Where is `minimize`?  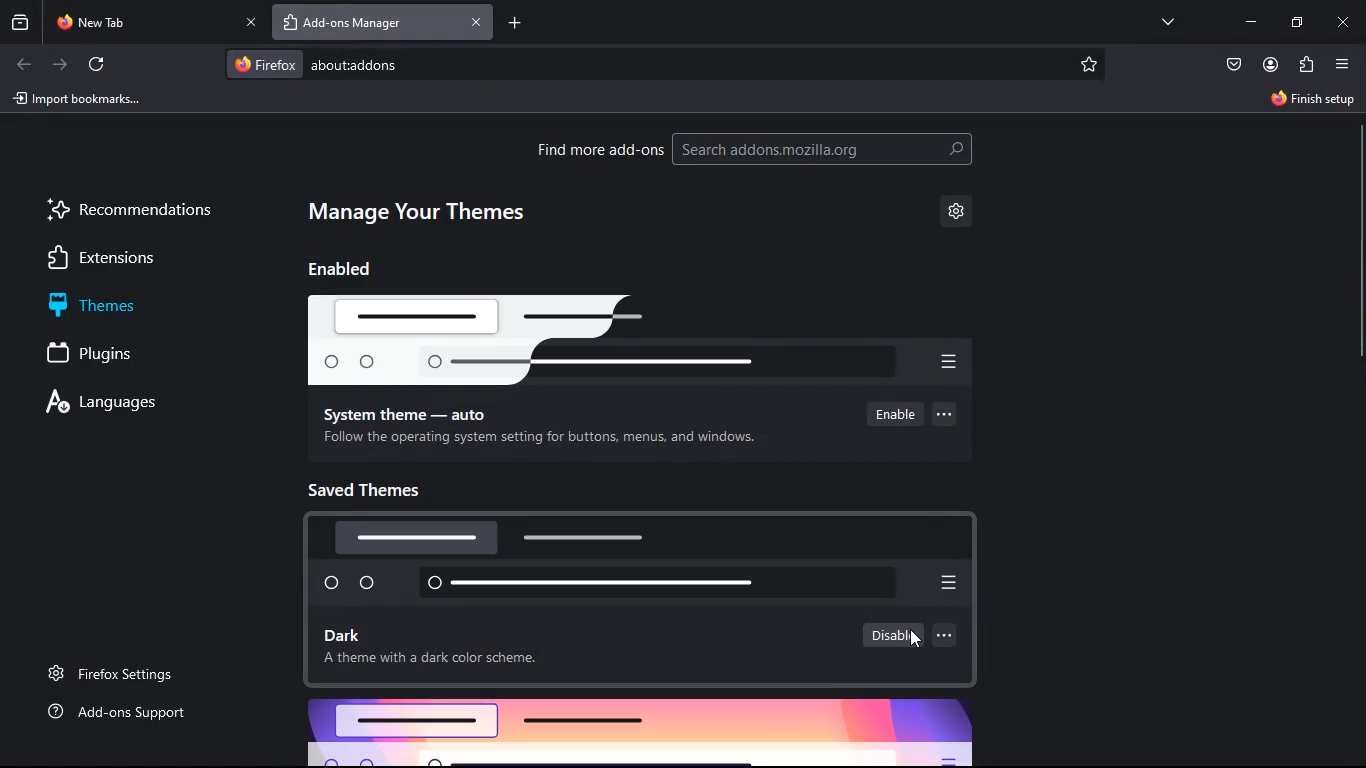
minimize is located at coordinates (1251, 21).